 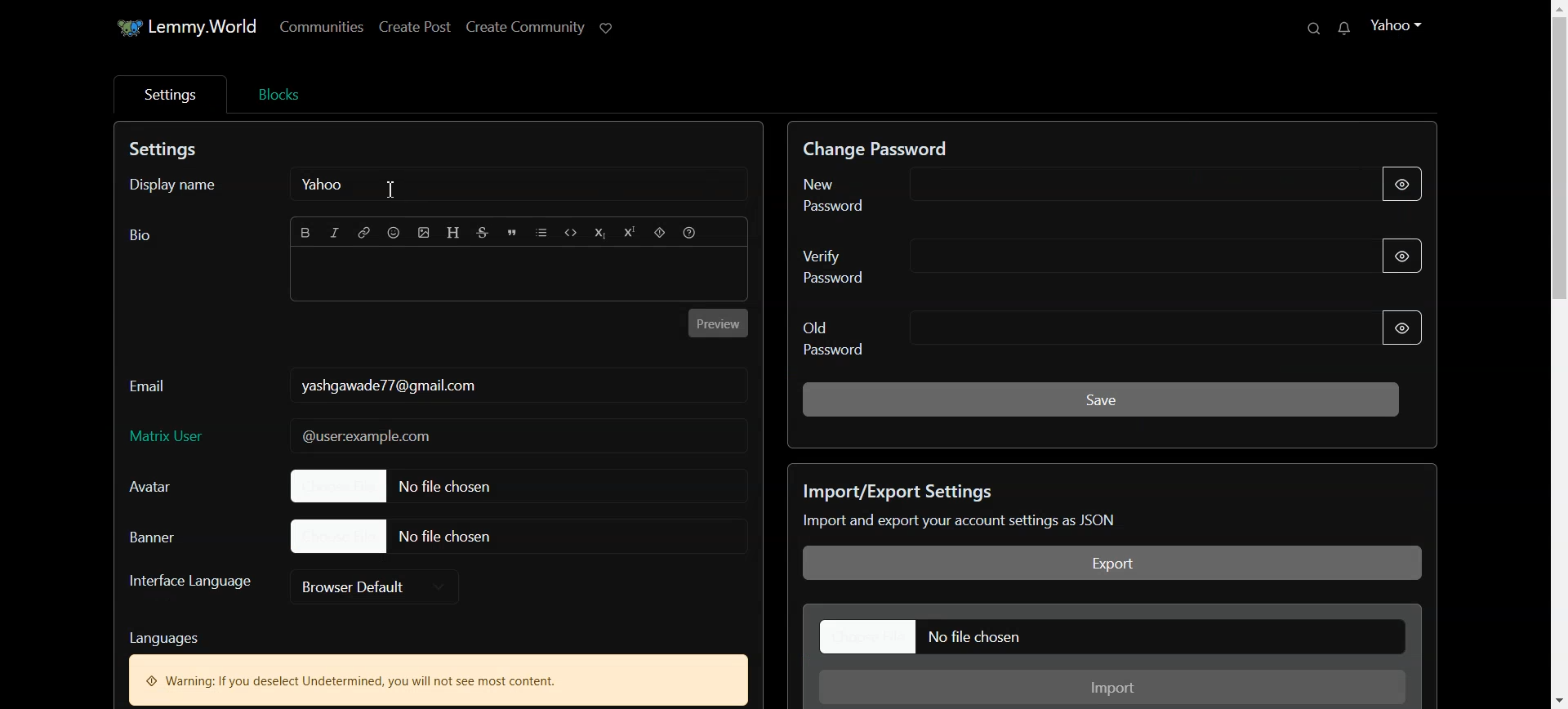 What do you see at coordinates (1409, 24) in the screenshot?
I see `Yahoo ~` at bounding box center [1409, 24].